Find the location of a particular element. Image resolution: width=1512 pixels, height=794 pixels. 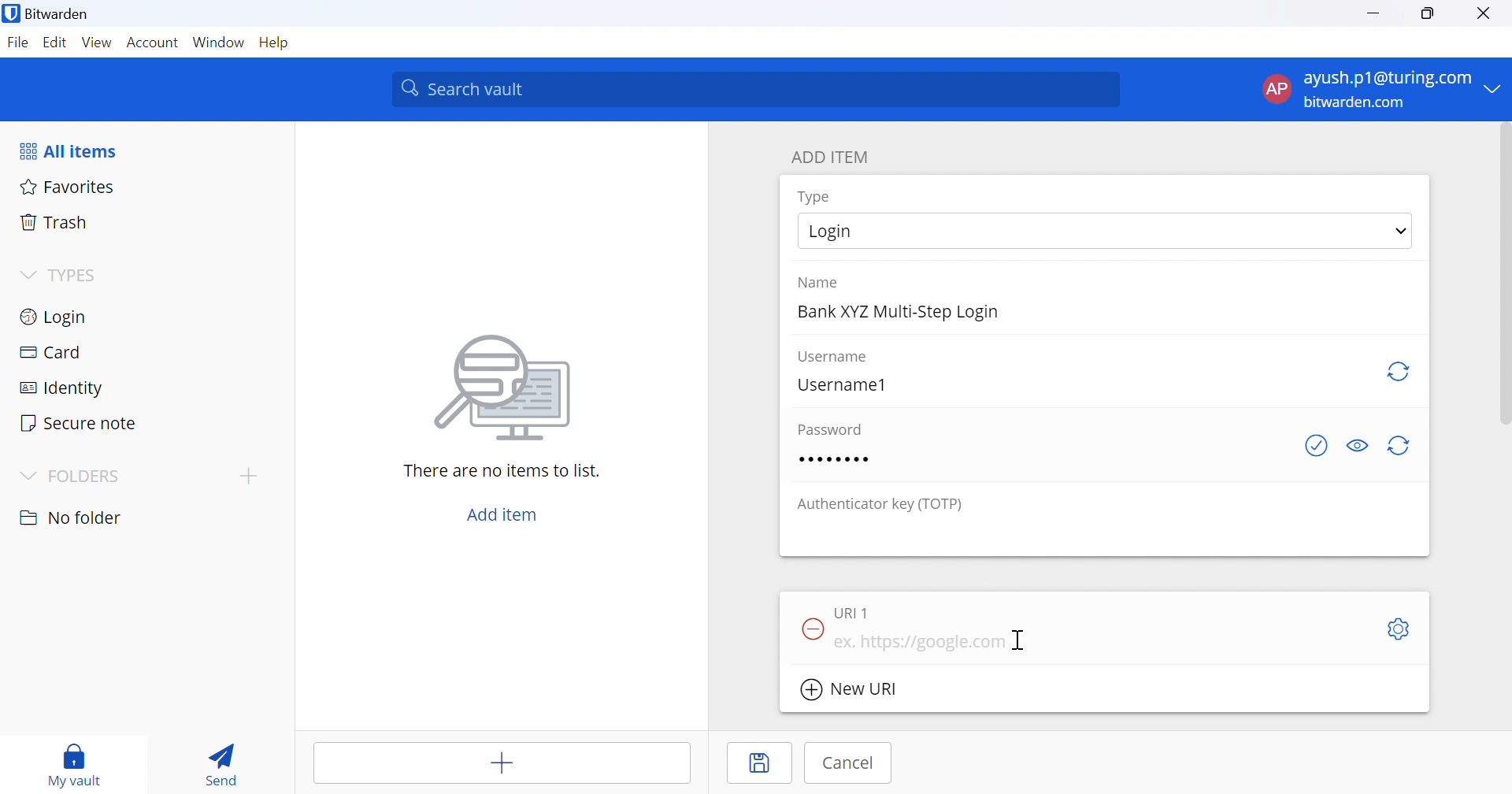

Regenerate Password is located at coordinates (1402, 445).